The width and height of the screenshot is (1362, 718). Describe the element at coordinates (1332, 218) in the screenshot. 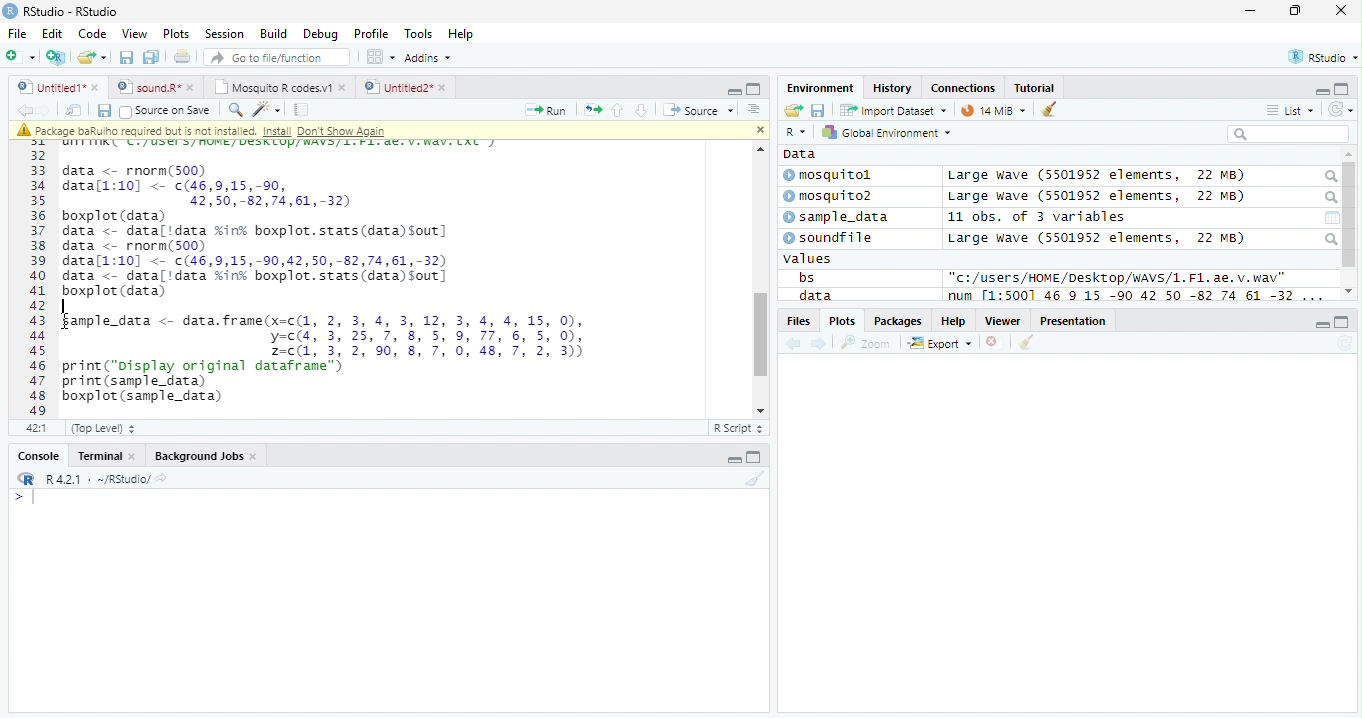

I see `Calendar` at that location.